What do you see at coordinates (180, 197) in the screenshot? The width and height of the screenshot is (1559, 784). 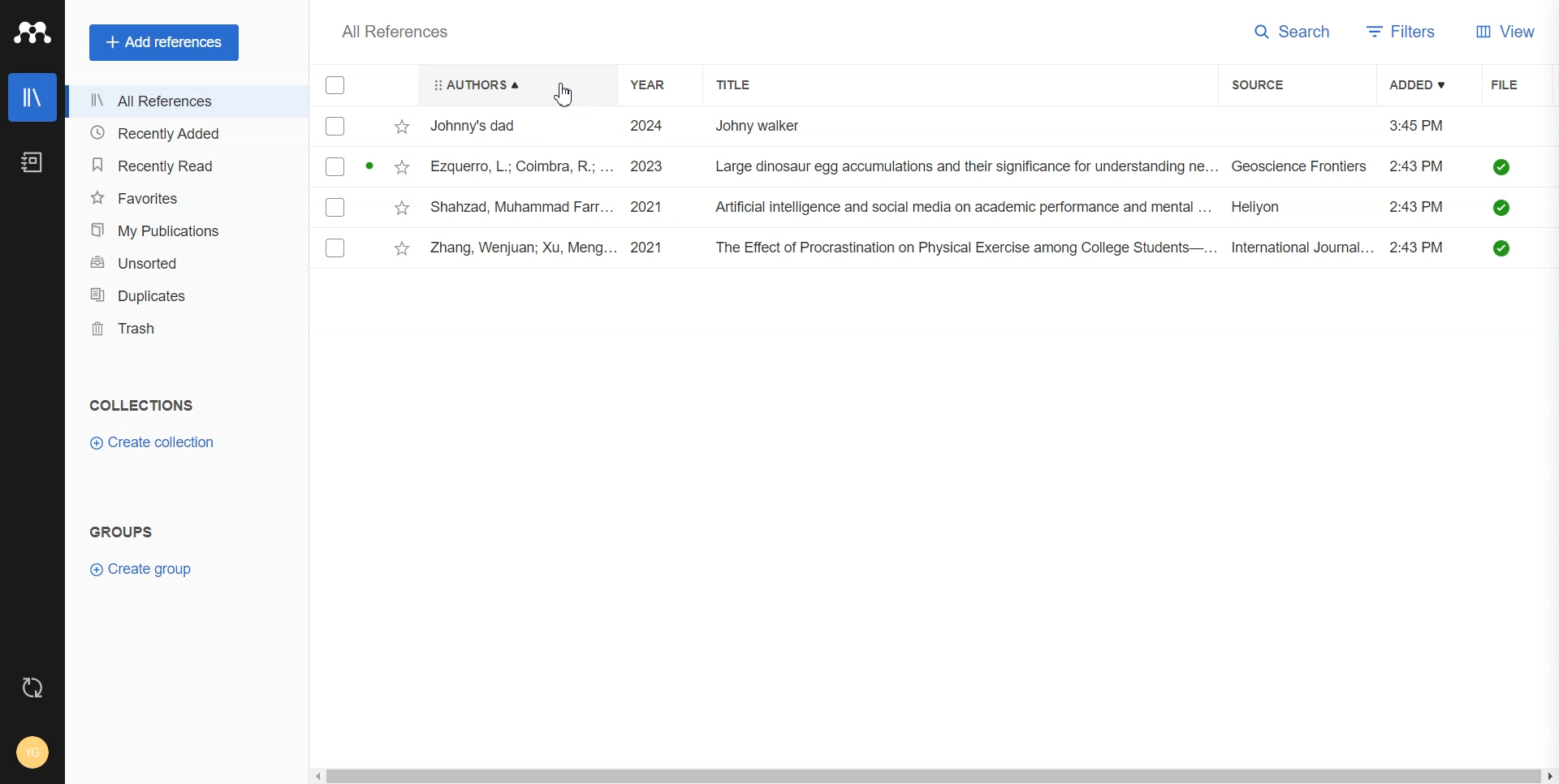 I see `Favorites` at bounding box center [180, 197].